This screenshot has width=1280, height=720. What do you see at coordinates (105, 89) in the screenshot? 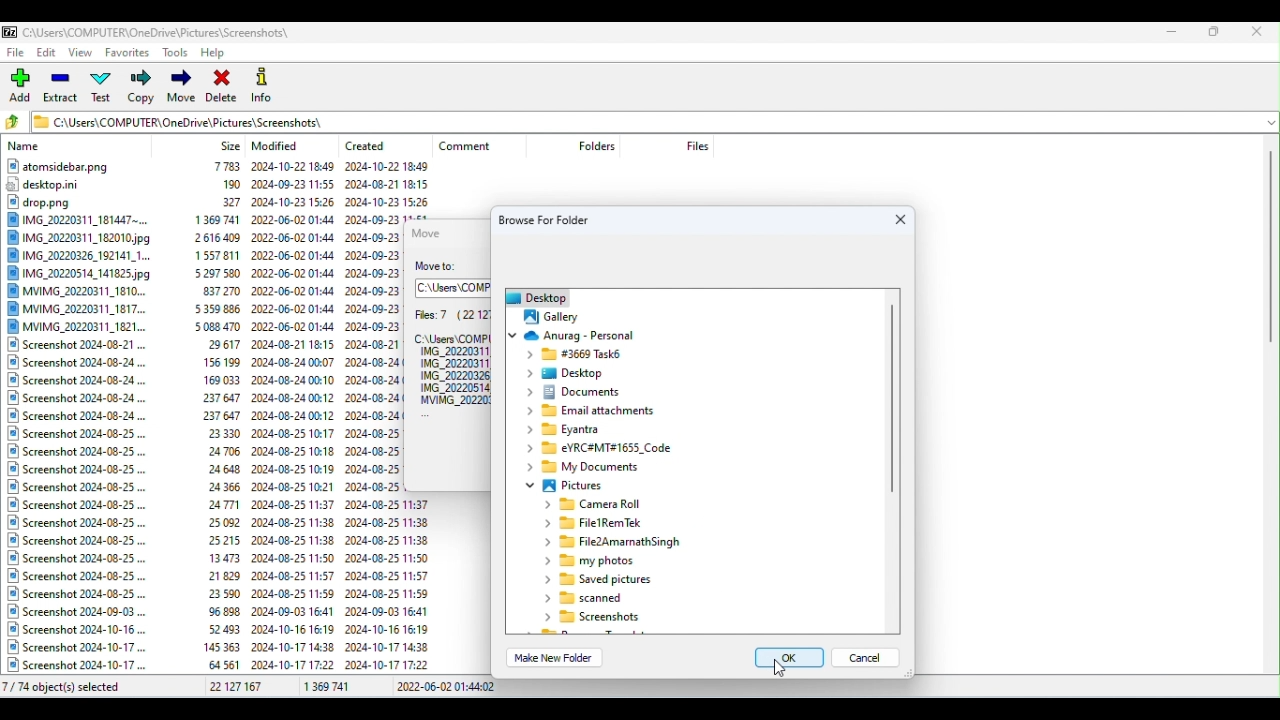
I see `Test` at bounding box center [105, 89].